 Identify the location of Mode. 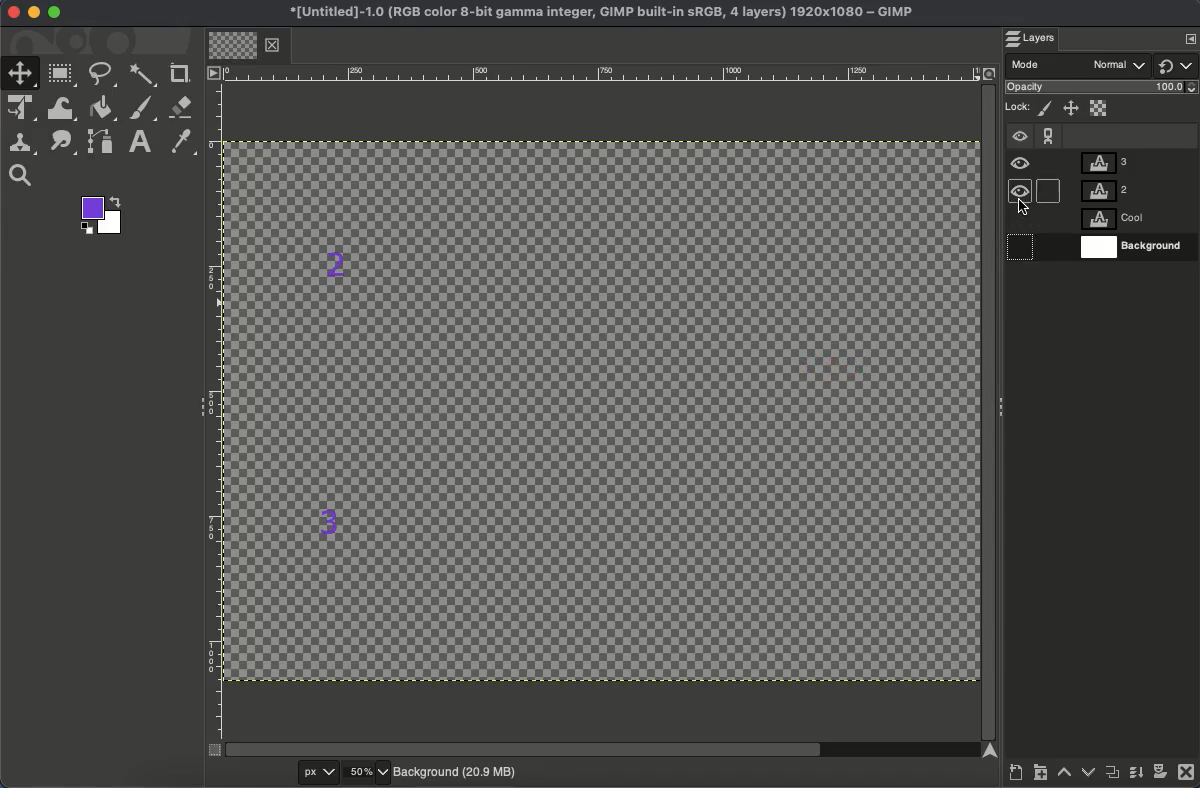
(1080, 66).